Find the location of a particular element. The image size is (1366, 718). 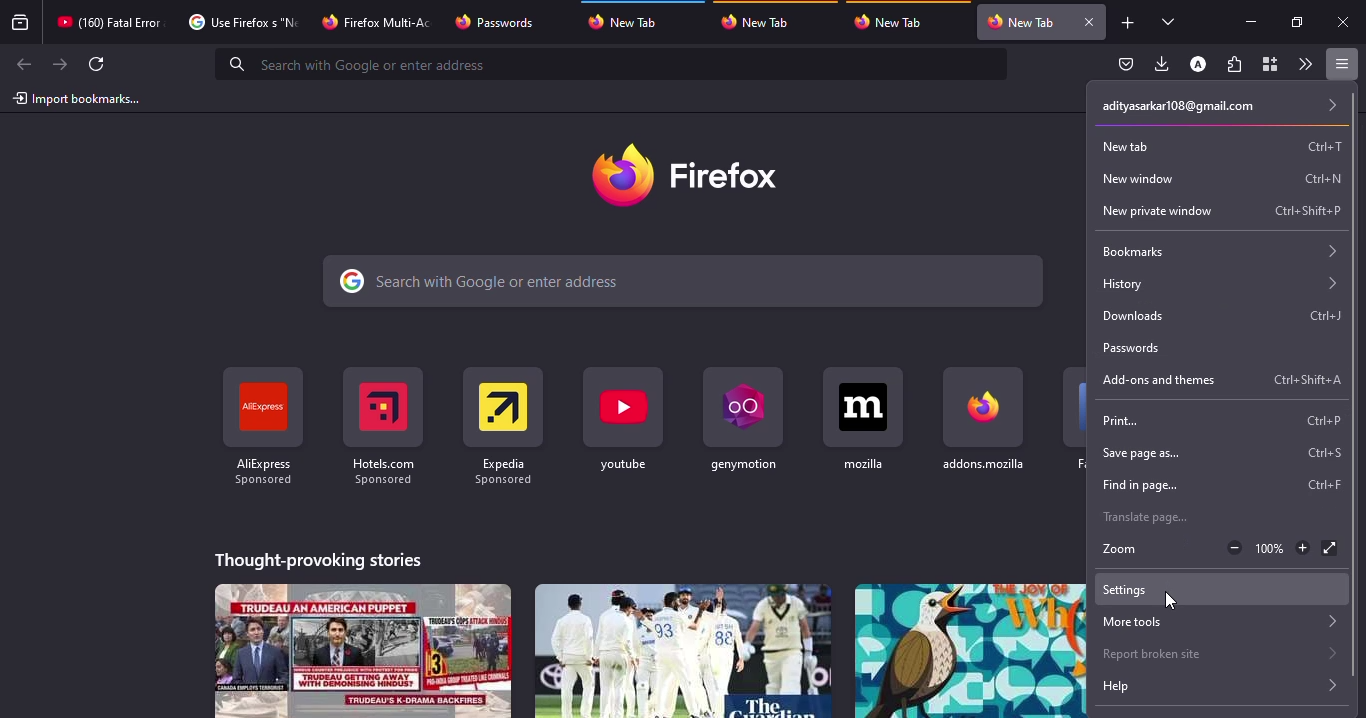

add tab is located at coordinates (1128, 23).